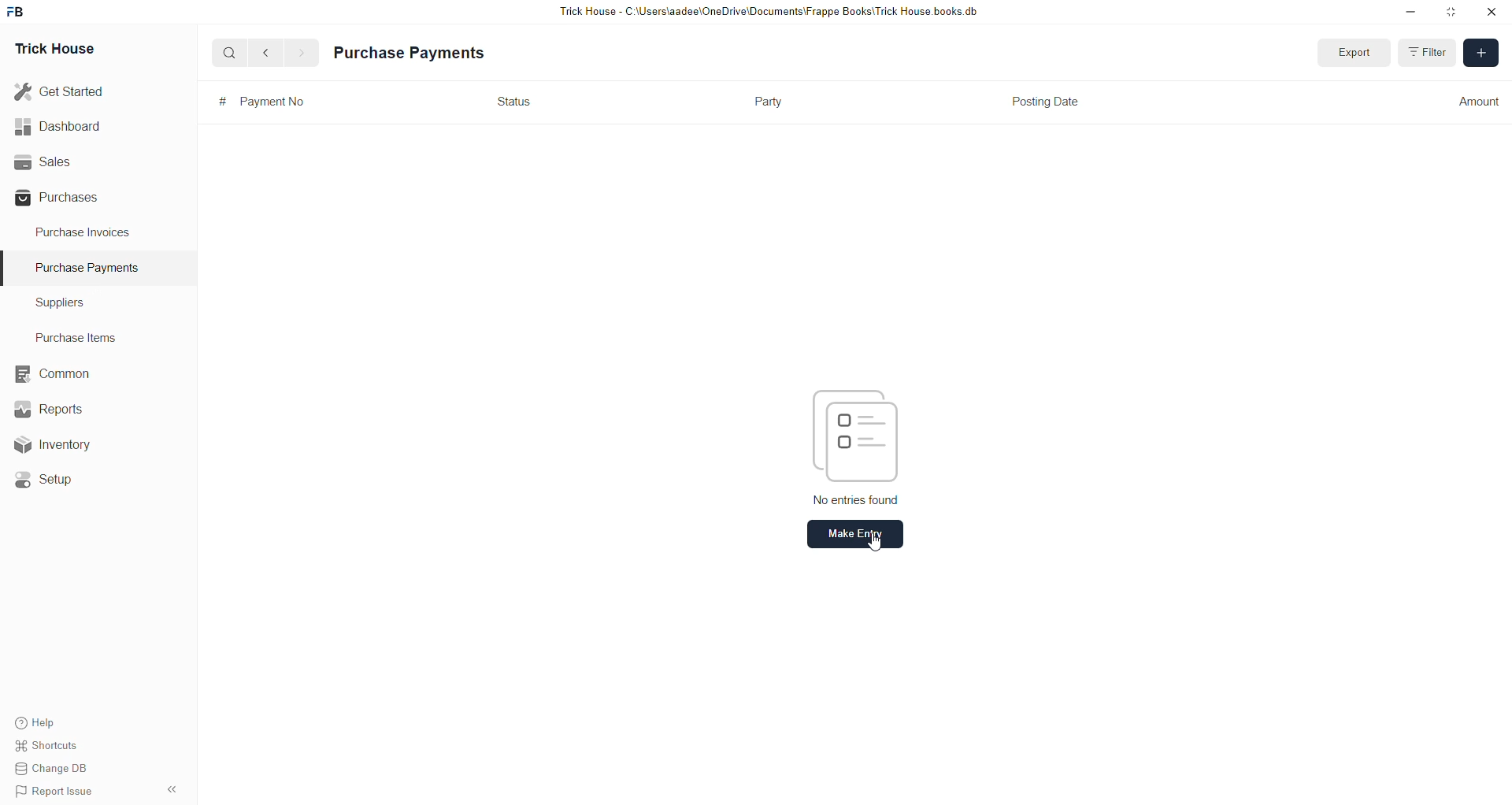 This screenshot has width=1512, height=805. Describe the element at coordinates (1482, 54) in the screenshot. I see `Add new entry` at that location.